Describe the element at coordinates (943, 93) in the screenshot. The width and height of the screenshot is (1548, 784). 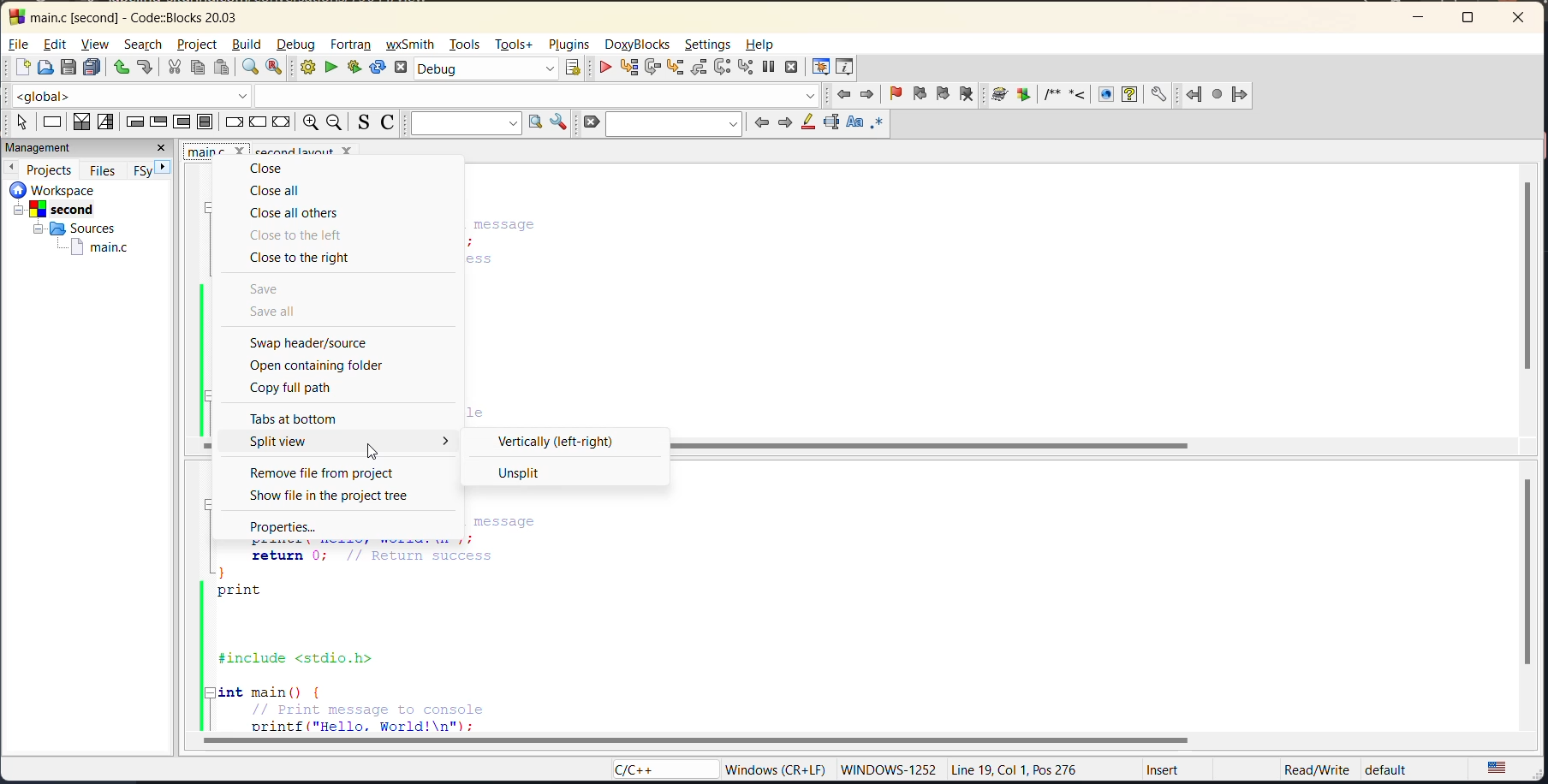
I see `next  bookmark` at that location.